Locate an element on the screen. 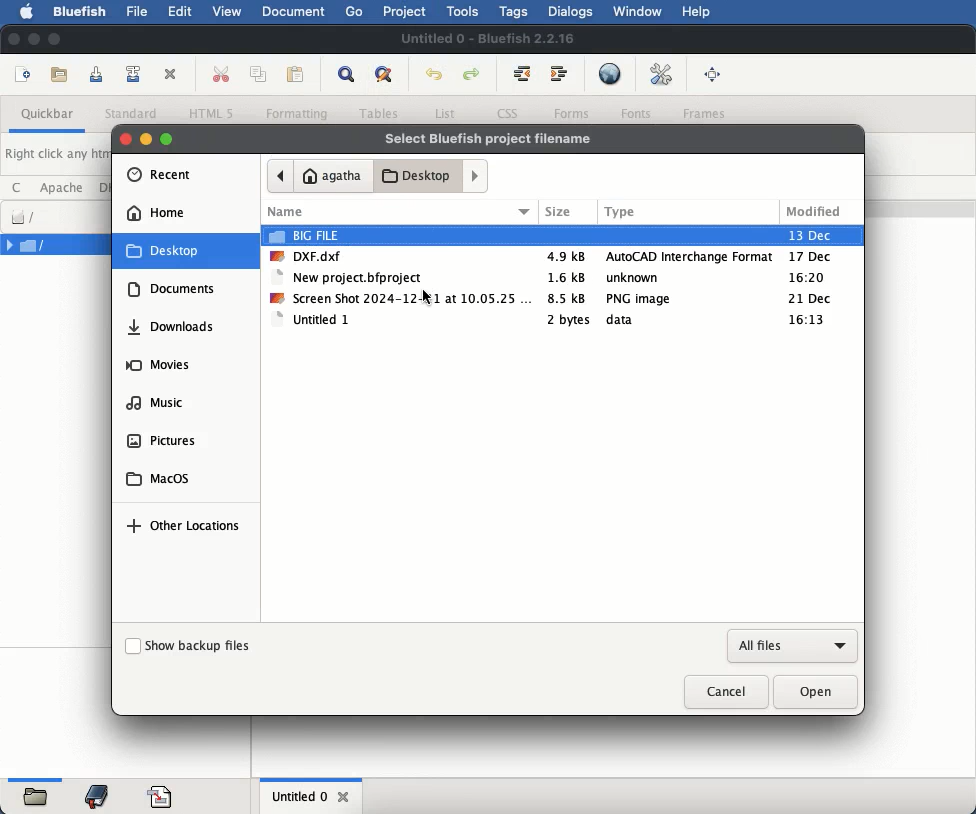  recent is located at coordinates (161, 175).